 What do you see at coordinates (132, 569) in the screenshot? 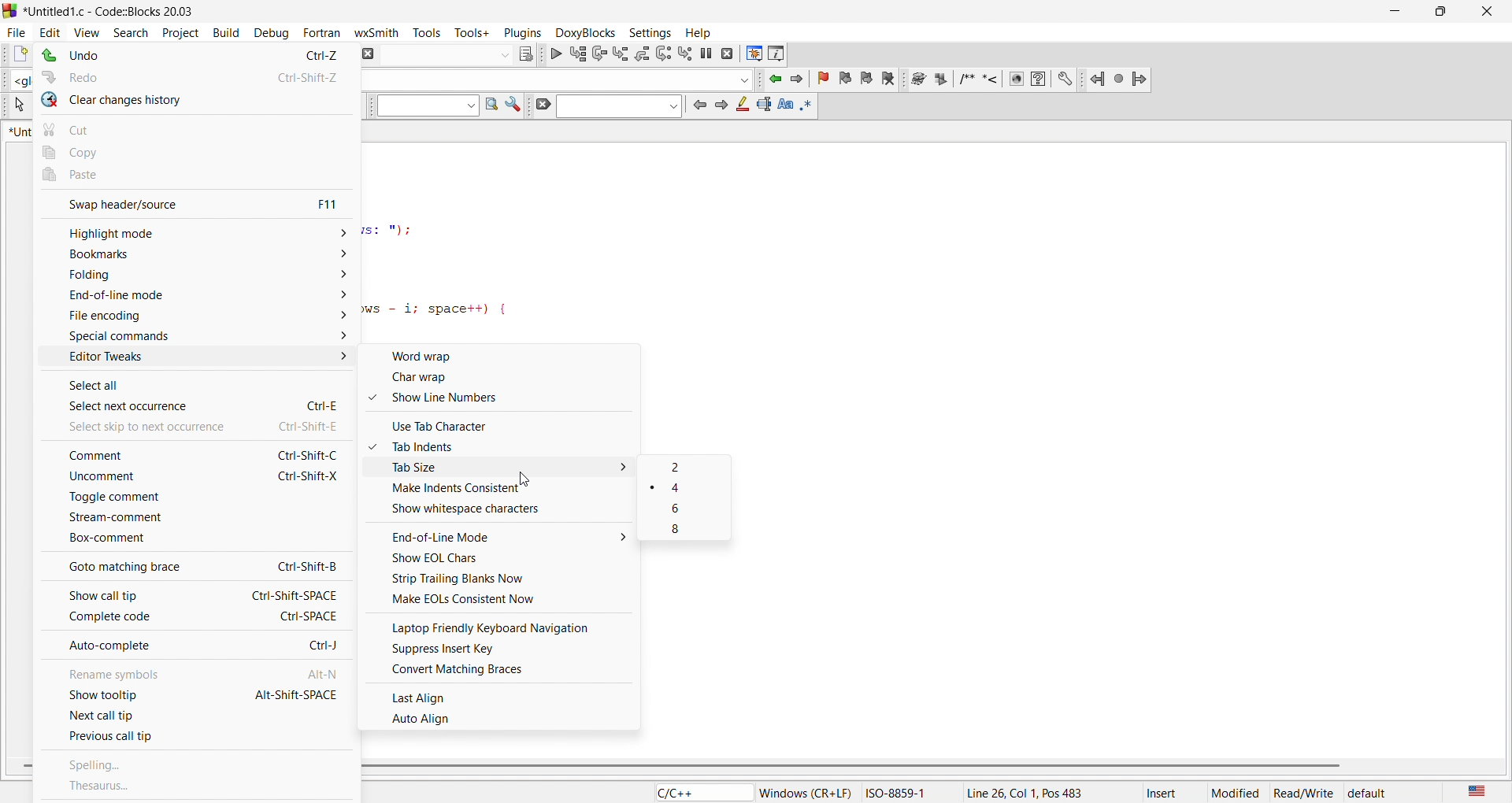
I see `goto matching brace ` at bounding box center [132, 569].